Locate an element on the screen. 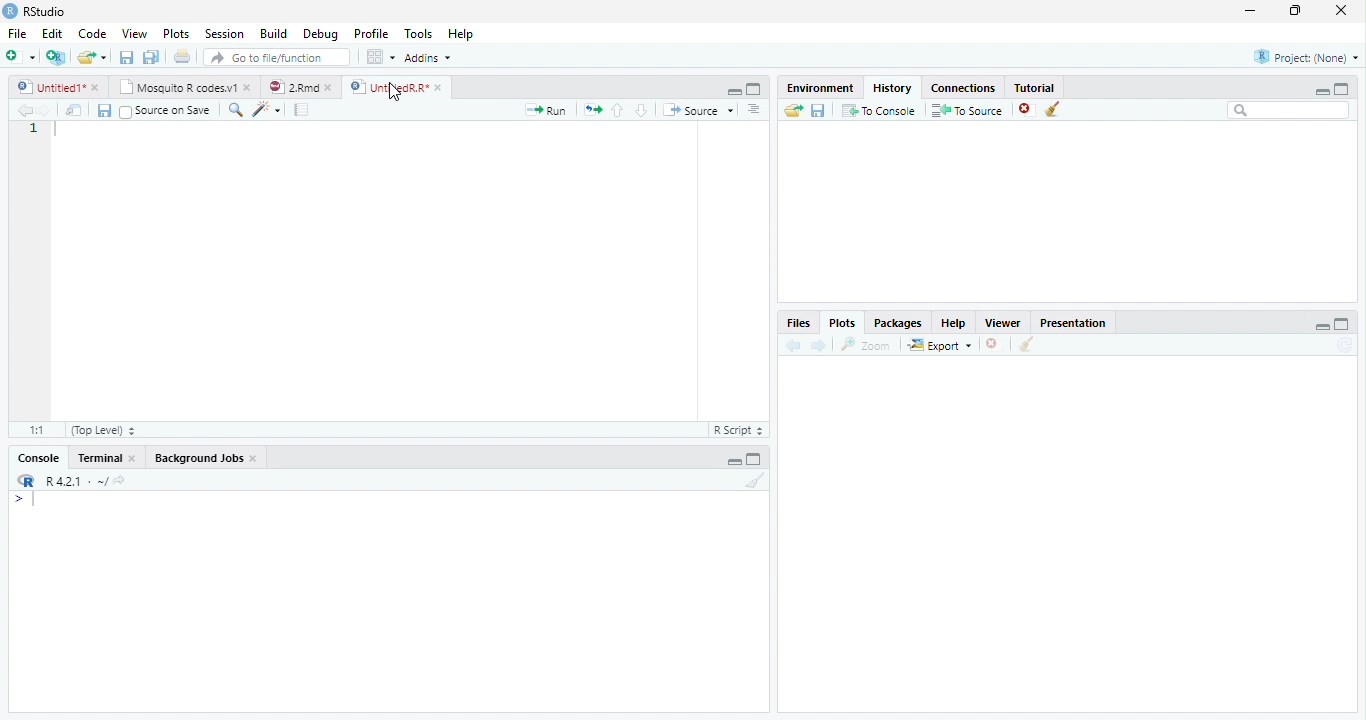 This screenshot has width=1366, height=720. Debug is located at coordinates (320, 33).